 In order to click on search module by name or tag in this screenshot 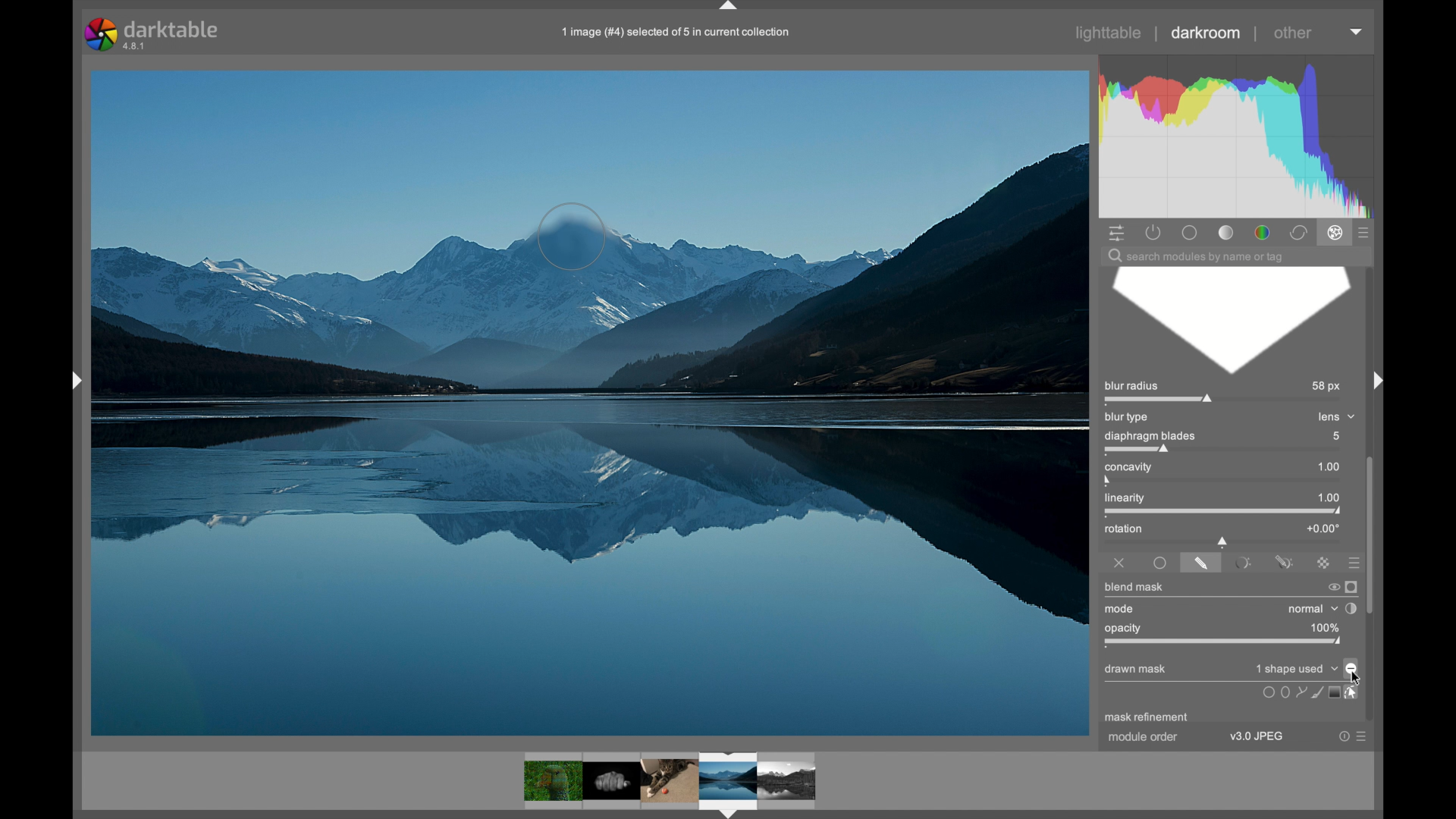, I will do `click(1196, 256)`.